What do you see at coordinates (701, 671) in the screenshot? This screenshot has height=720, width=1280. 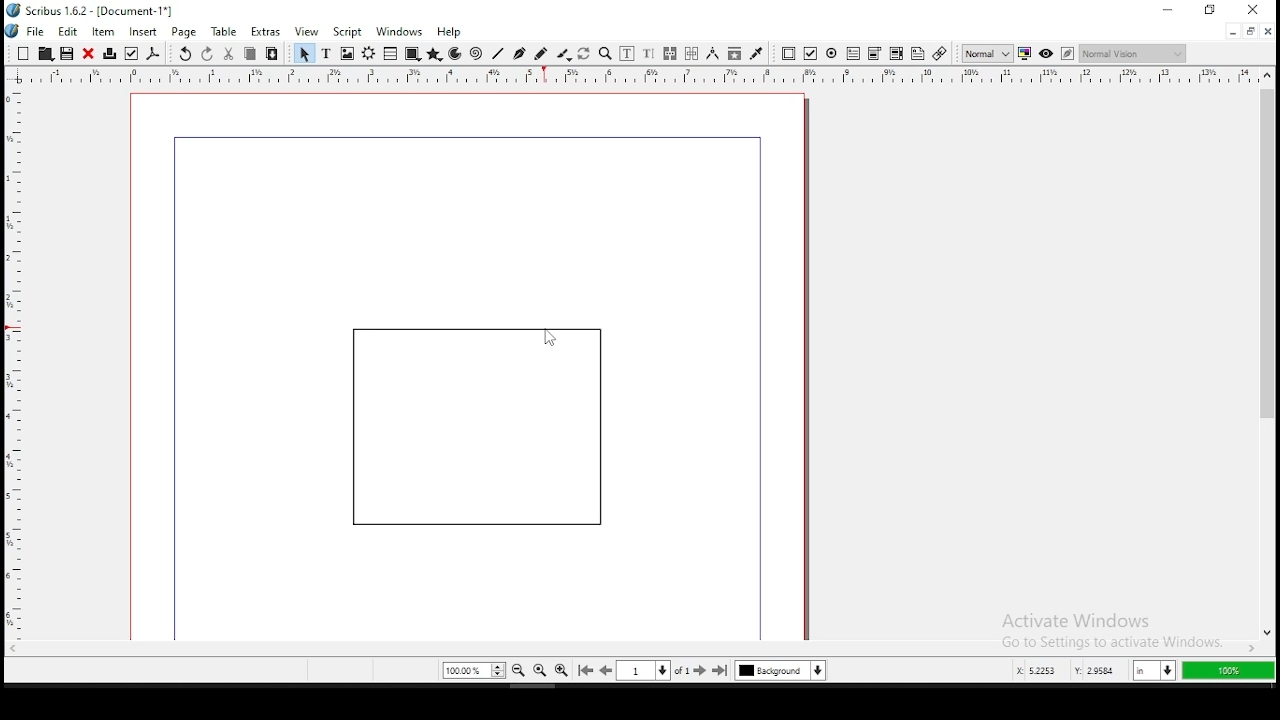 I see `go to next page` at bounding box center [701, 671].